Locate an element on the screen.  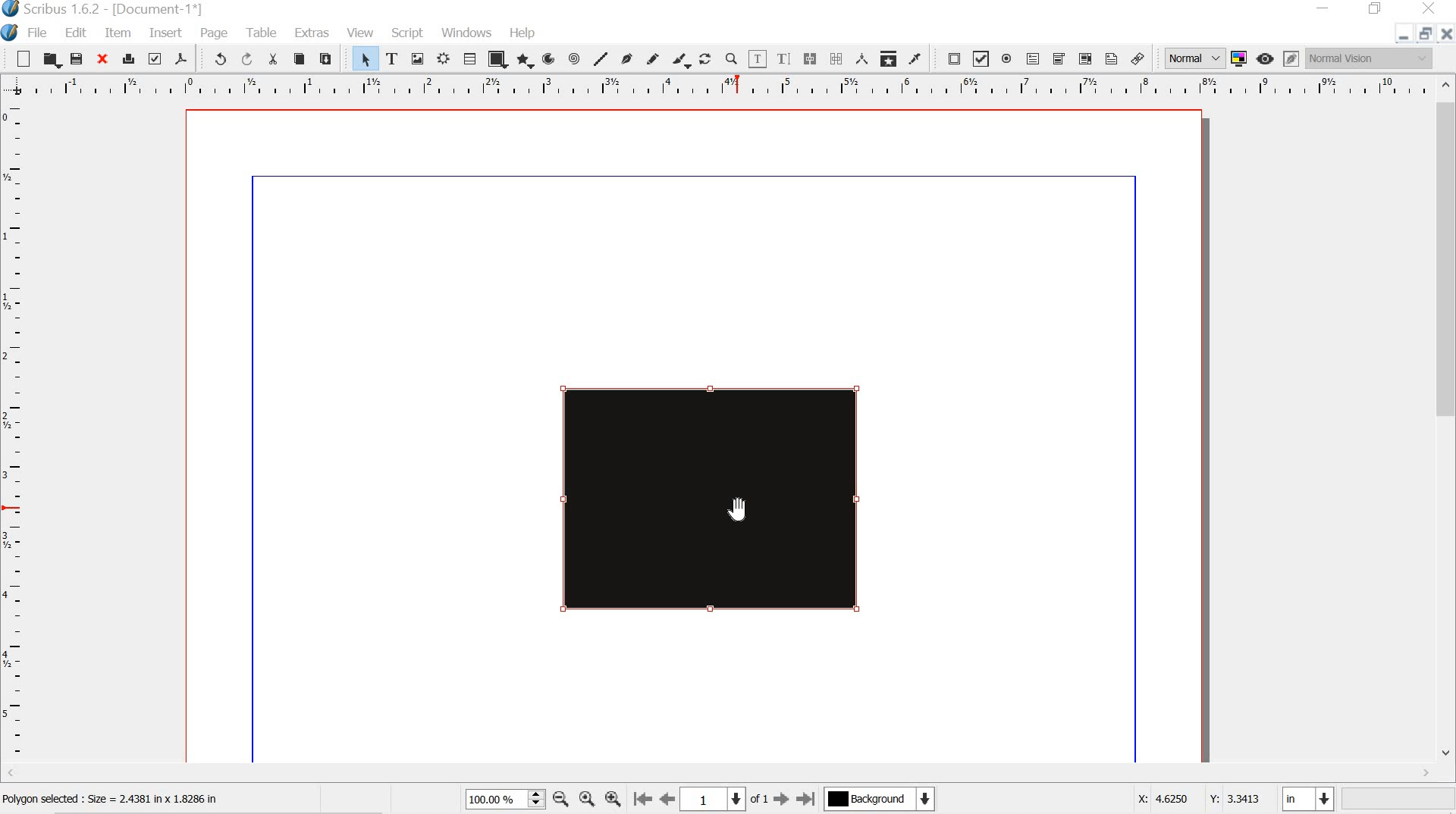
x: 4.6250  y:3.3413 is located at coordinates (1197, 798).